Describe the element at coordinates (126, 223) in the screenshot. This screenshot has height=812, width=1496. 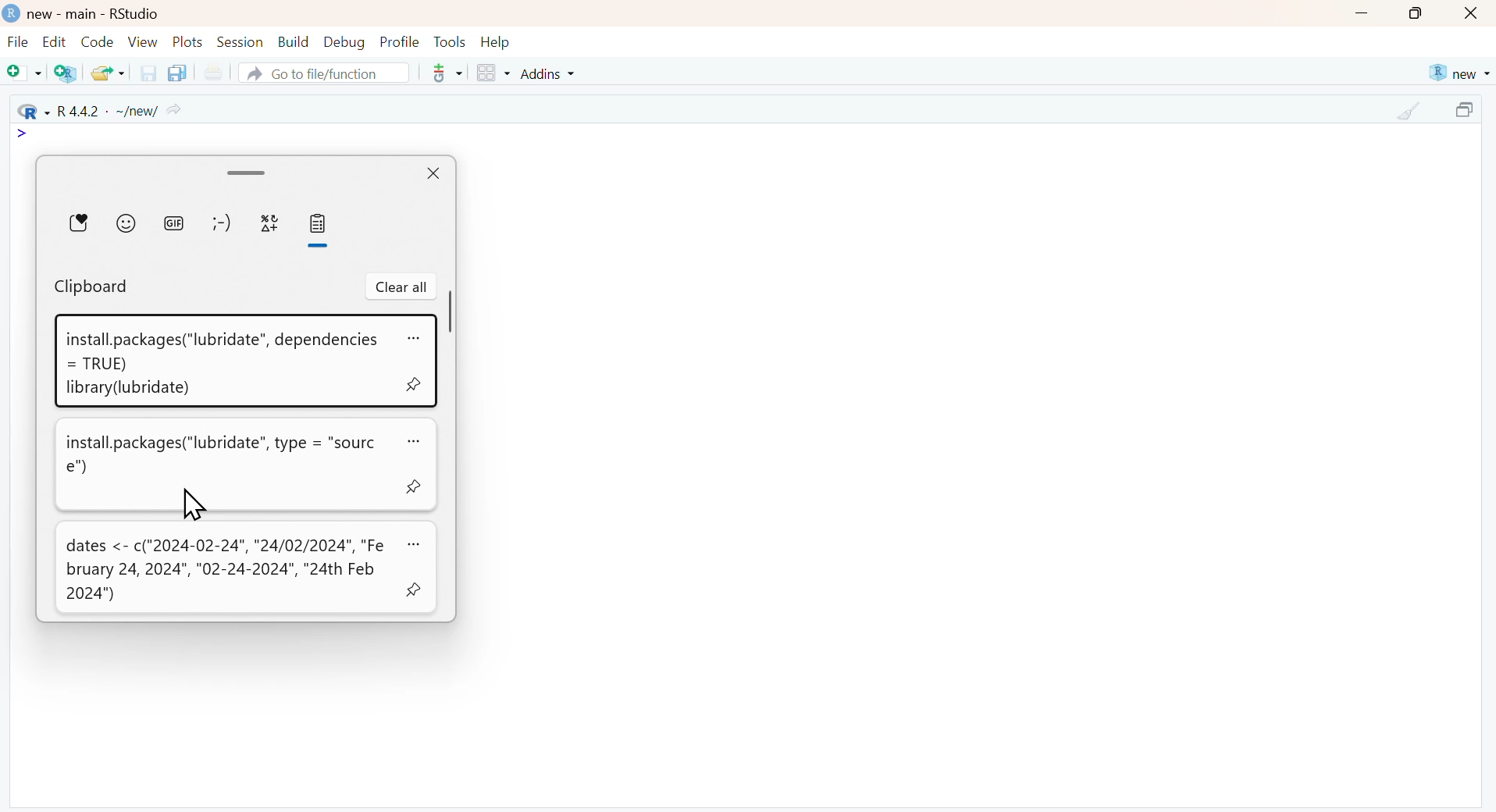
I see `Emoji` at that location.